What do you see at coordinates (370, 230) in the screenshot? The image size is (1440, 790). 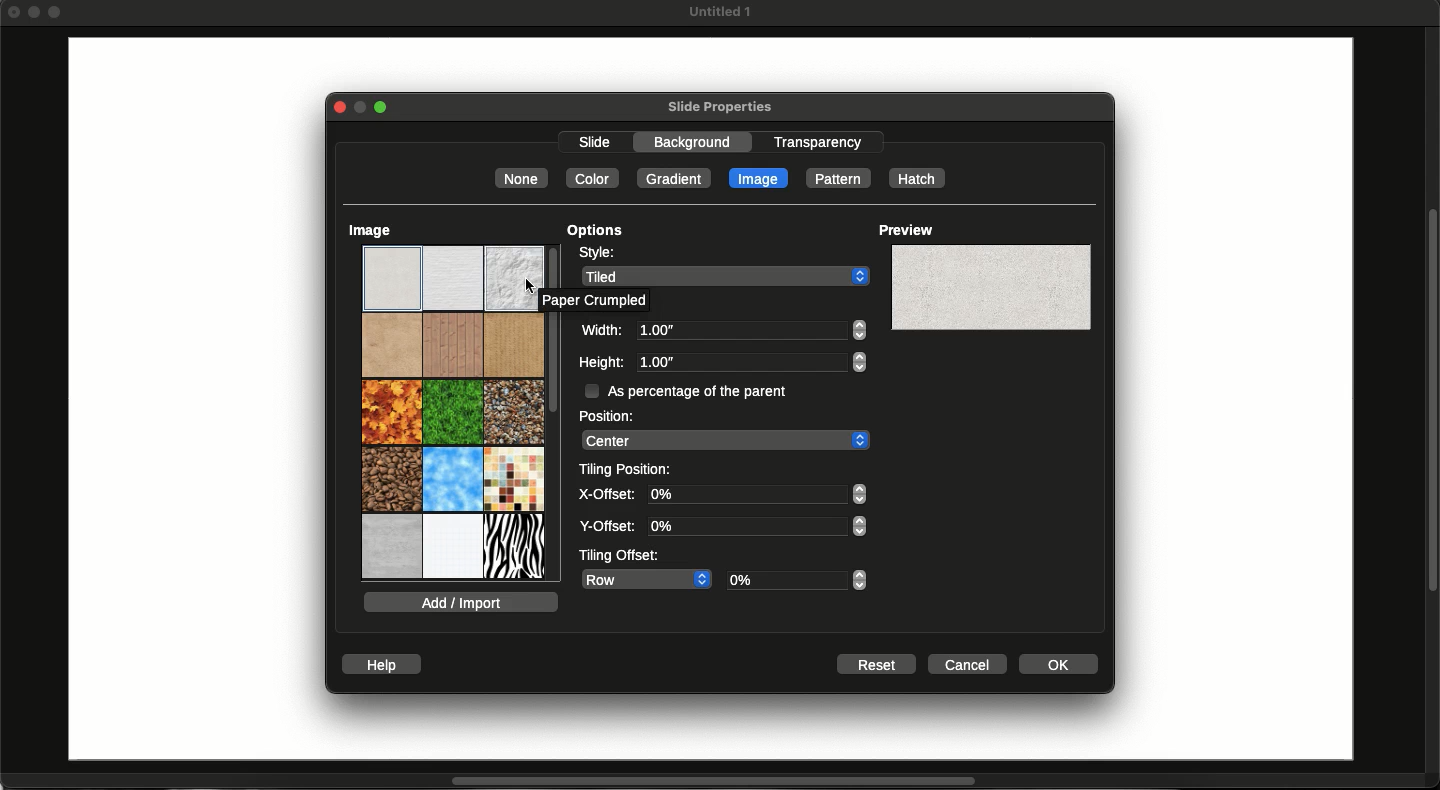 I see `Image` at bounding box center [370, 230].